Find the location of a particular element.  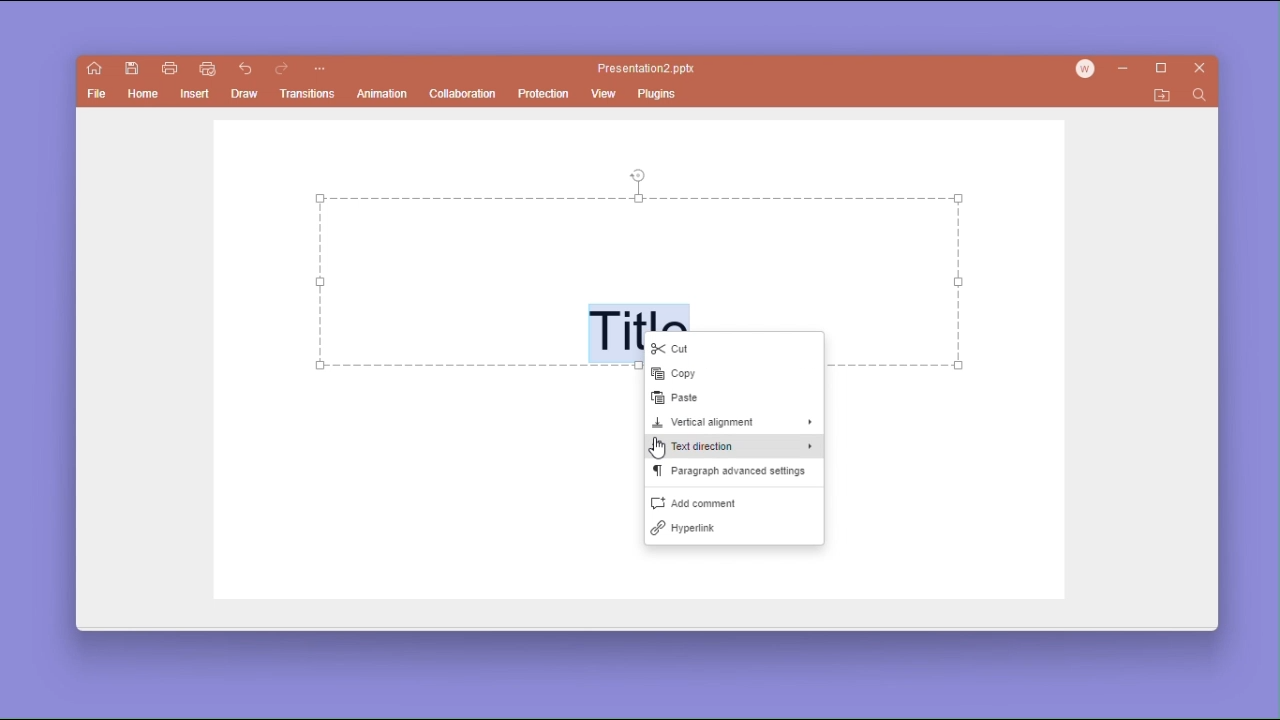

view is located at coordinates (604, 95).